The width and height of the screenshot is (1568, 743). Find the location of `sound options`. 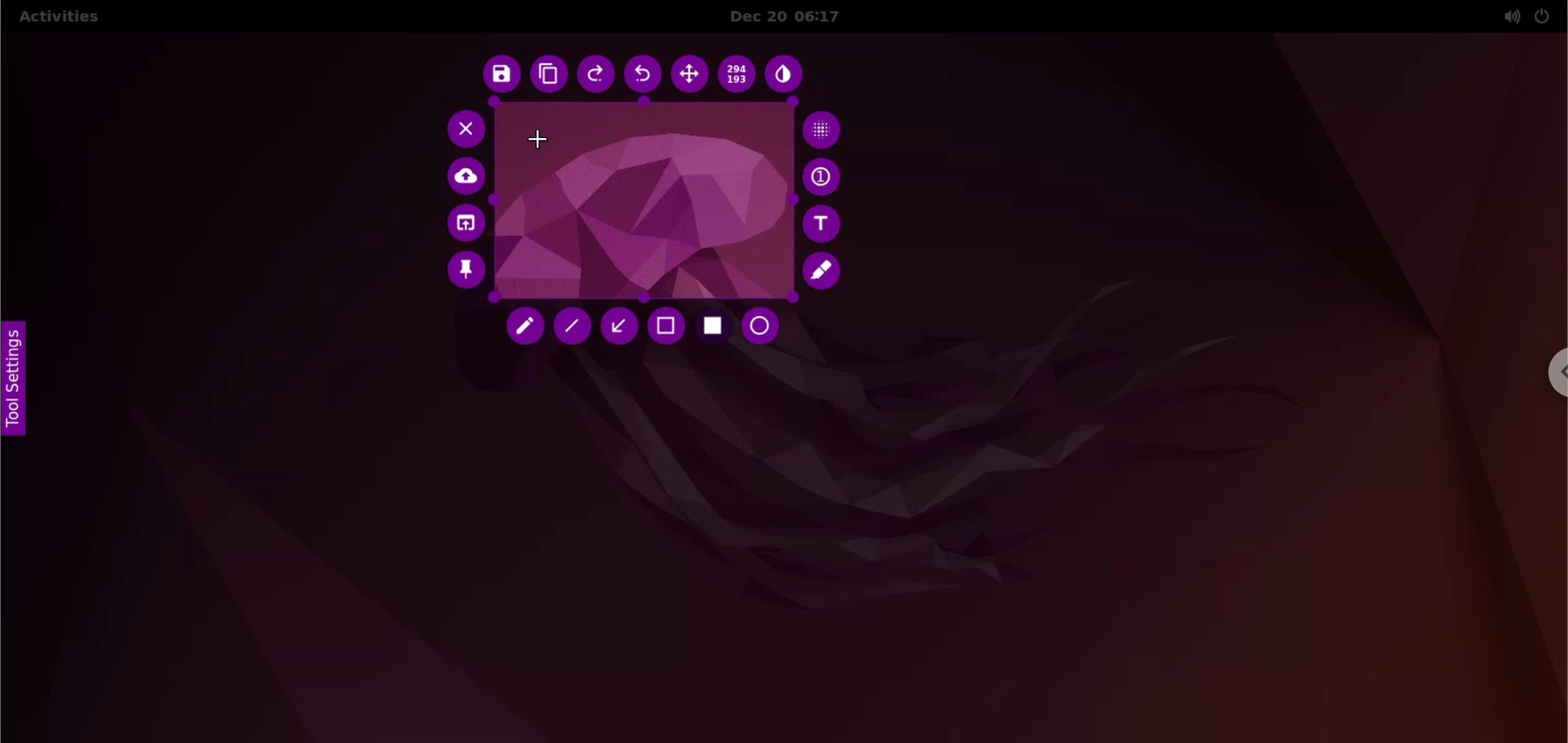

sound options is located at coordinates (1508, 16).